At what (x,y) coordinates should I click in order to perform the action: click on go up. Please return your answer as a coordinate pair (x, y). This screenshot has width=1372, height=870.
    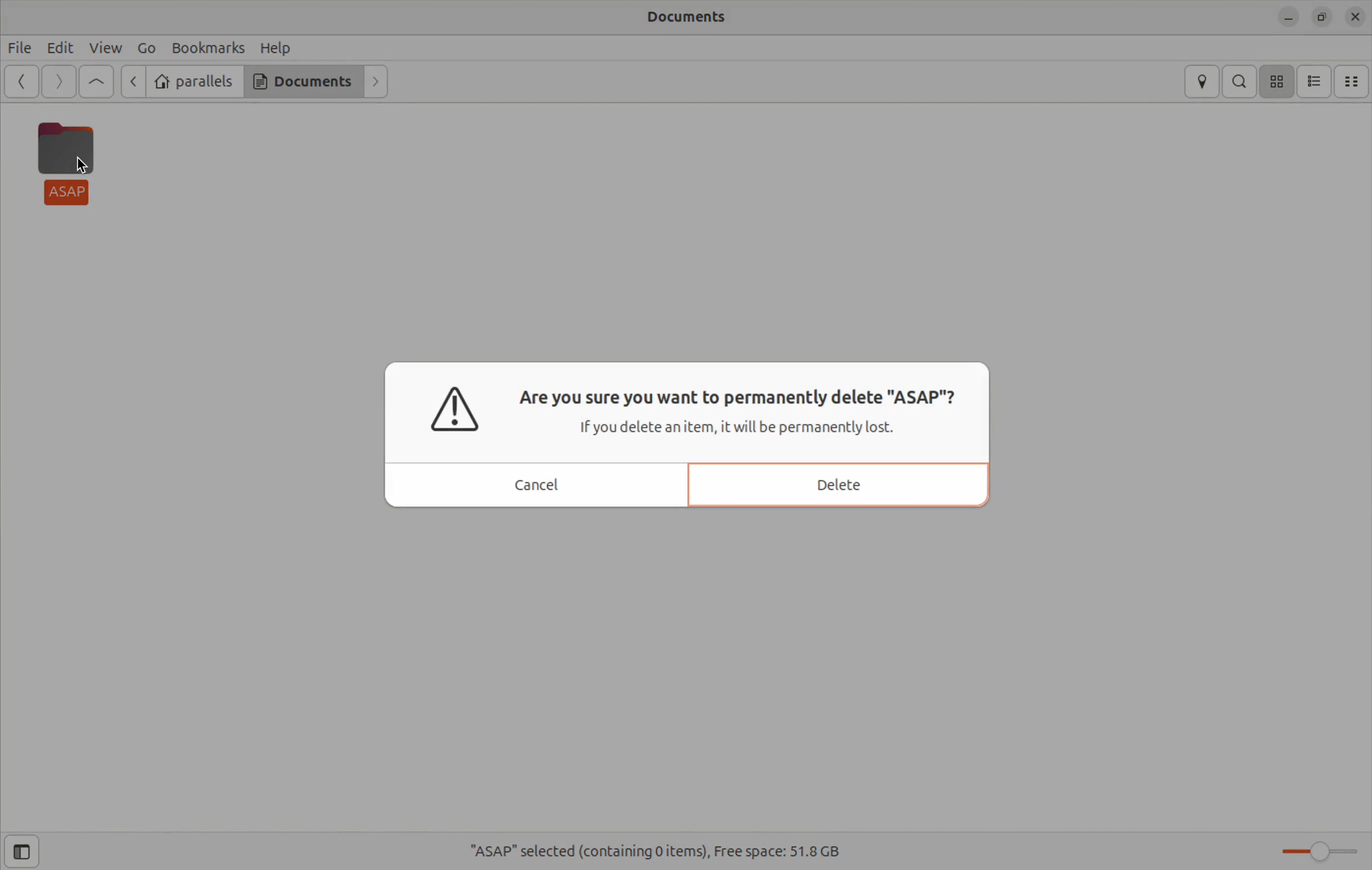
    Looking at the image, I should click on (94, 81).